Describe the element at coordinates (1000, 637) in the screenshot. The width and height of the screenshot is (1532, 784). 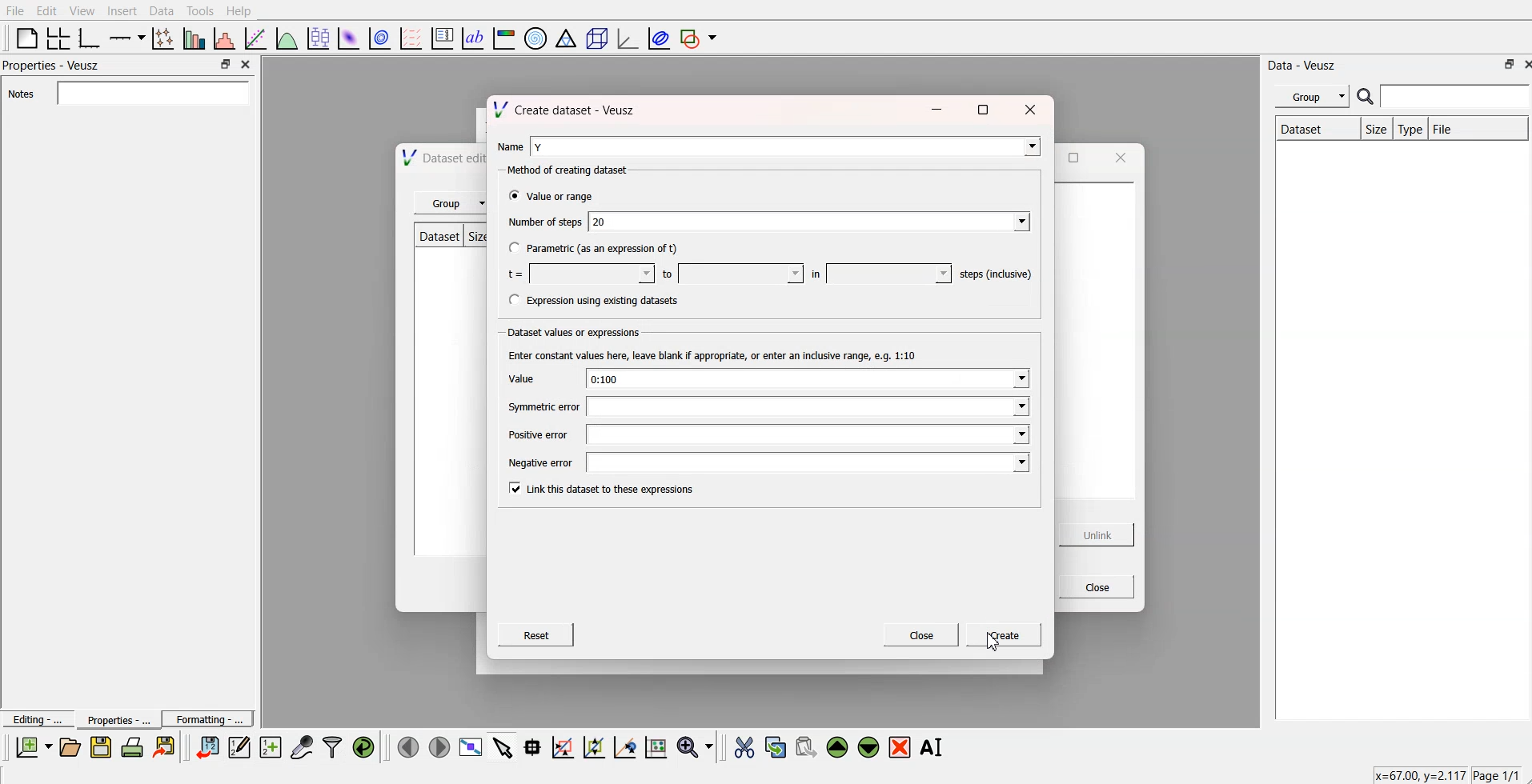
I see `create` at that location.